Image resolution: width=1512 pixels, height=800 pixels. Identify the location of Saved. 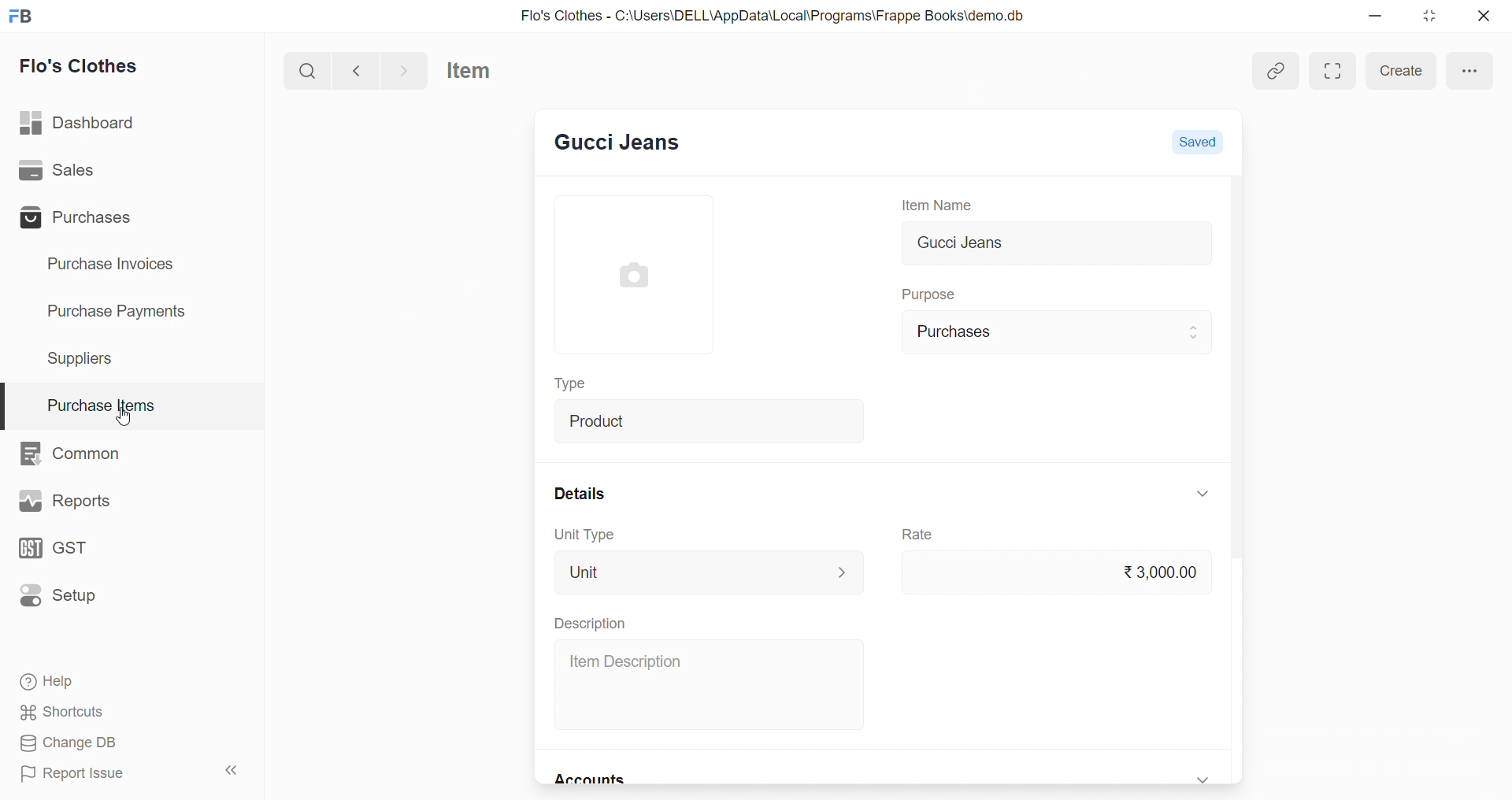
(1199, 142).